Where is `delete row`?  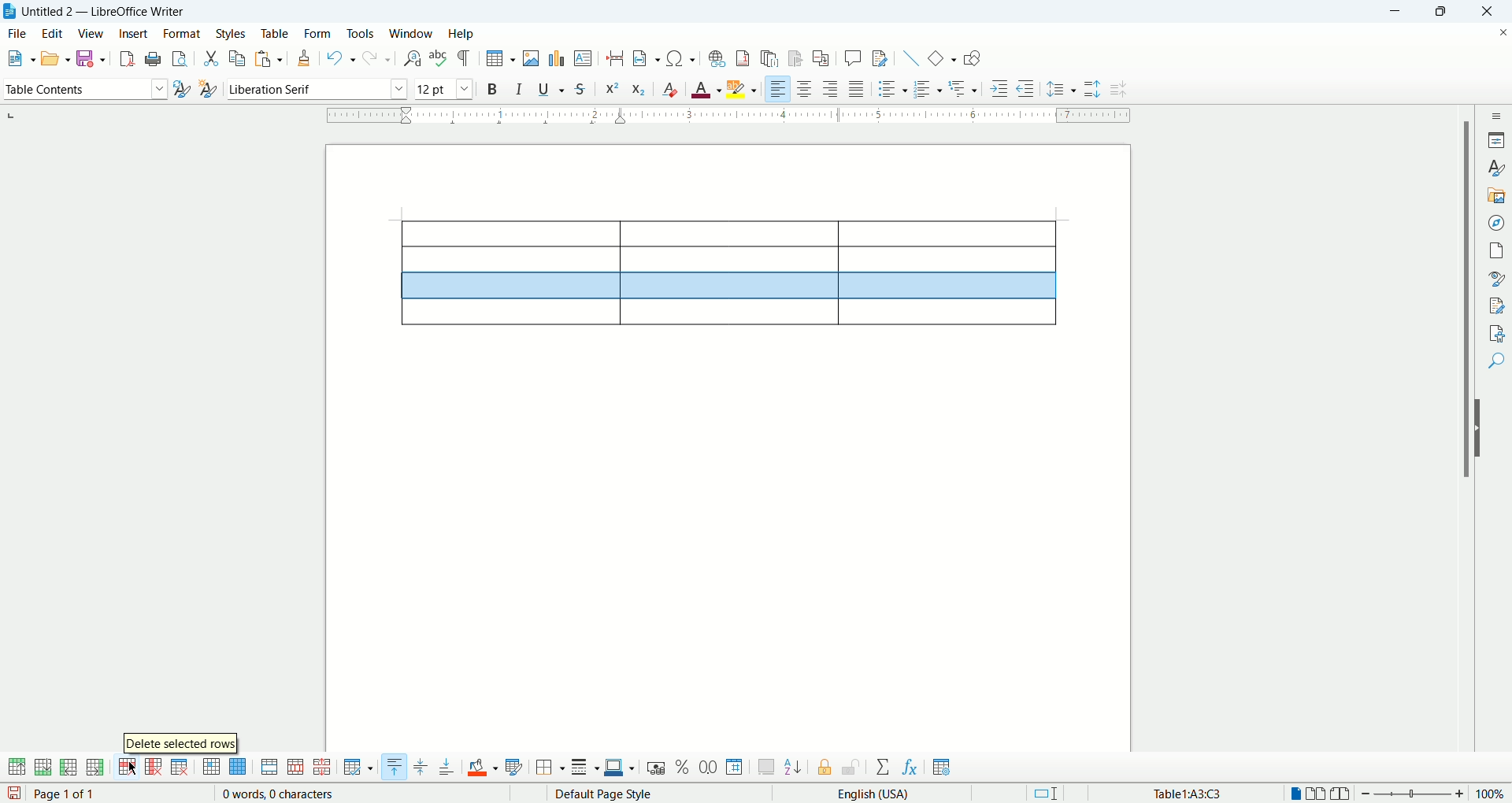 delete row is located at coordinates (127, 766).